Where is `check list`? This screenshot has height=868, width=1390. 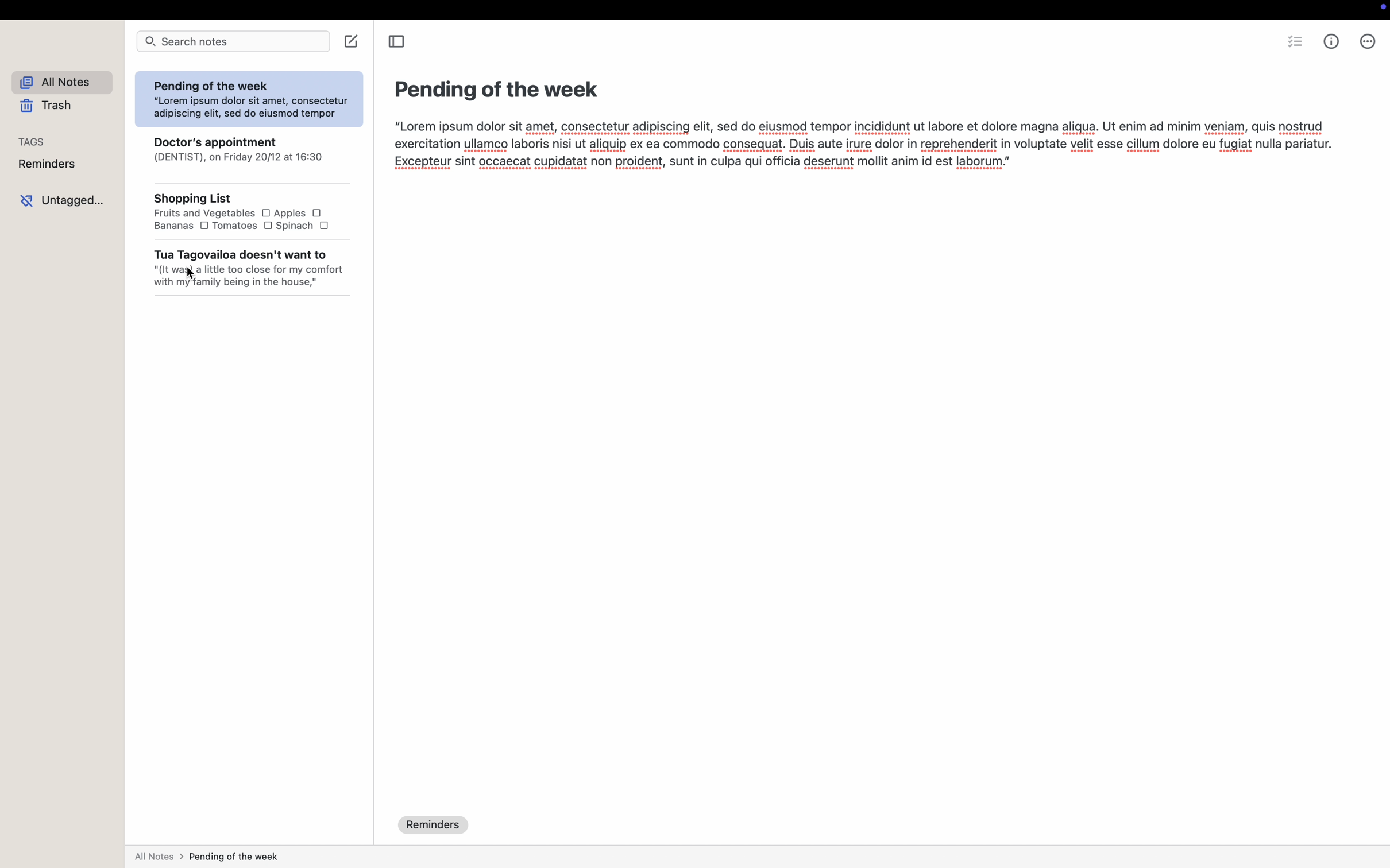
check list is located at coordinates (1294, 41).